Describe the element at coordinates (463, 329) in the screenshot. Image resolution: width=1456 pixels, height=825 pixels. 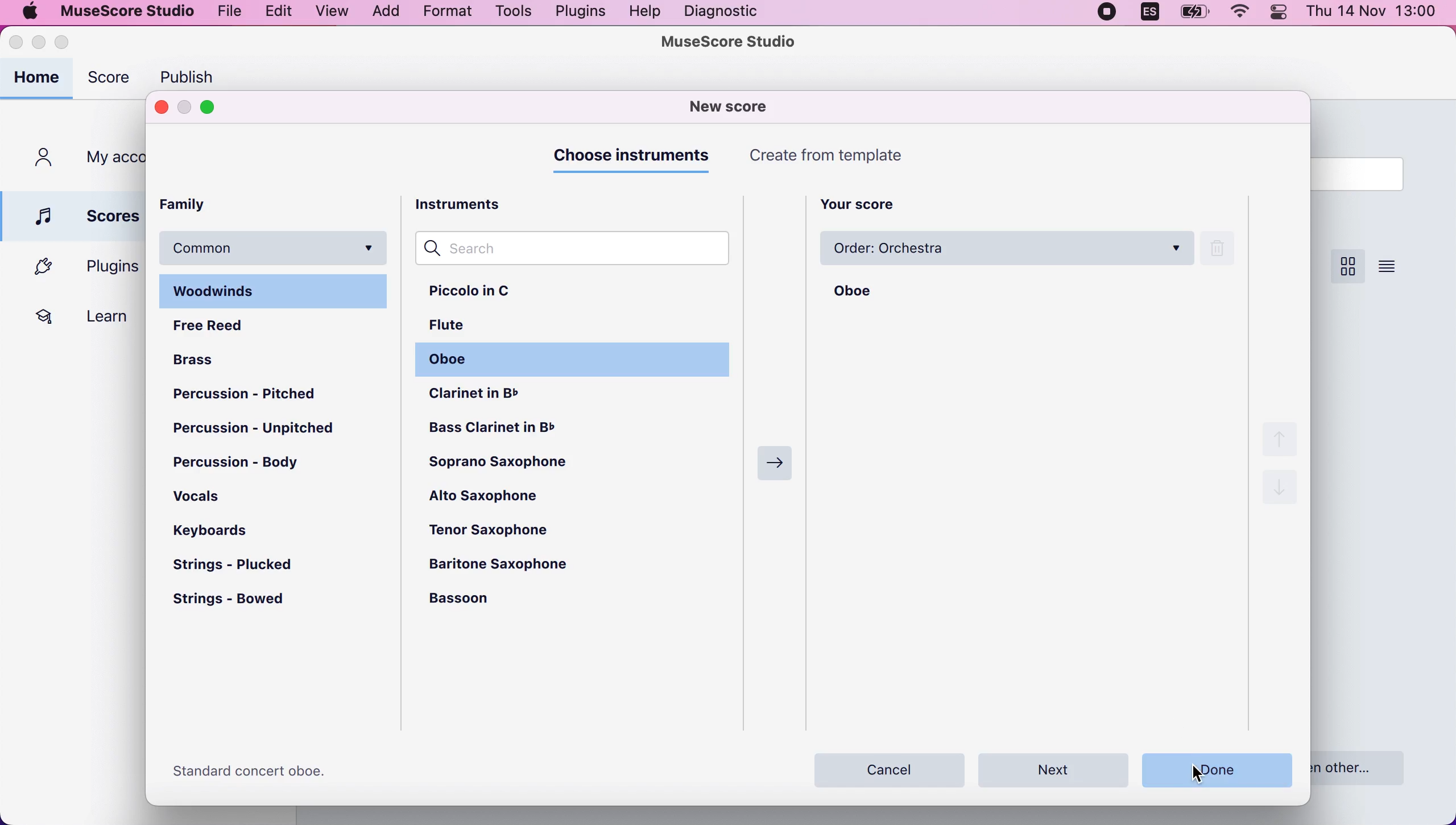
I see `flute` at that location.